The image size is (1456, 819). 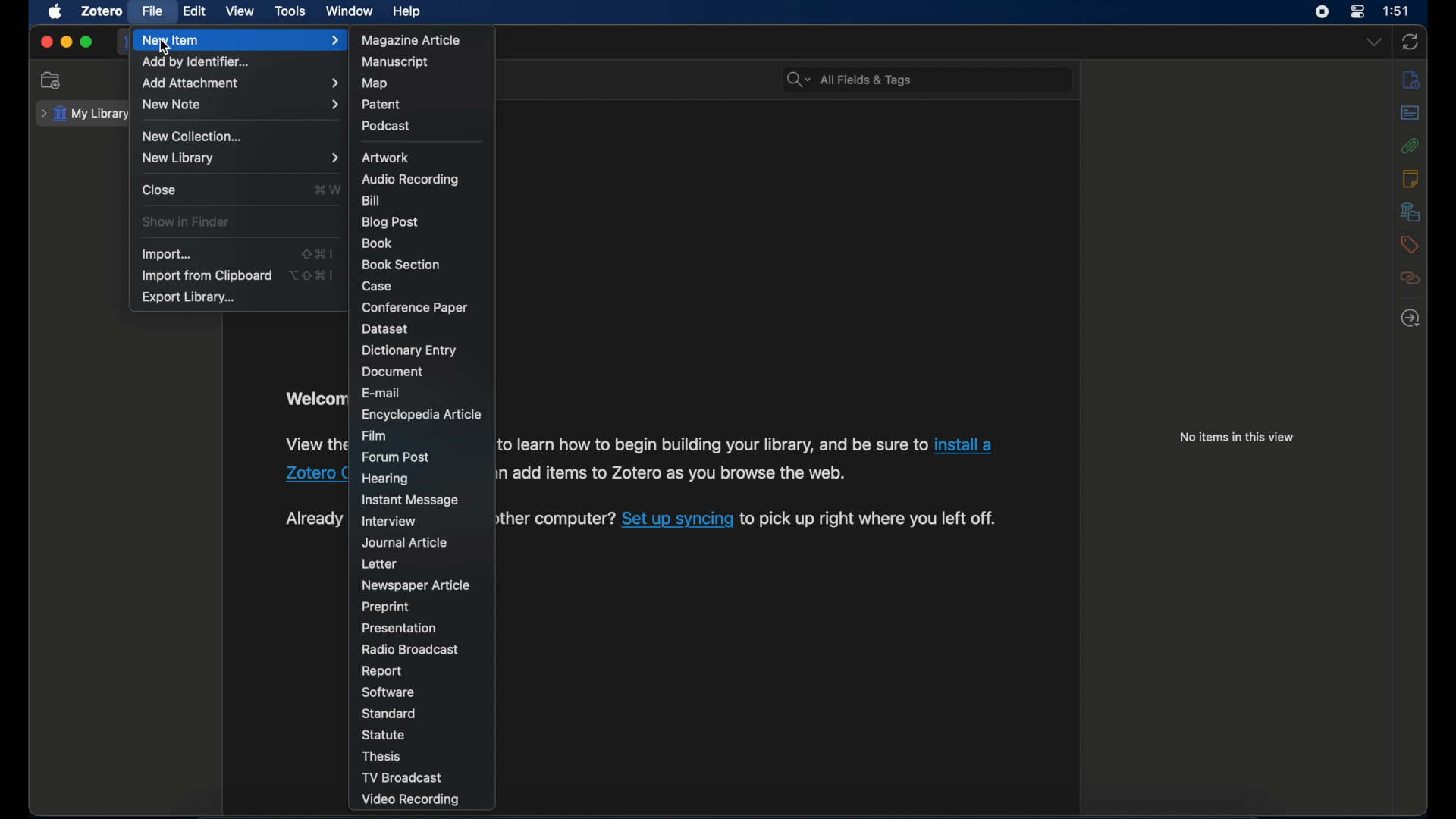 What do you see at coordinates (381, 287) in the screenshot?
I see `case` at bounding box center [381, 287].